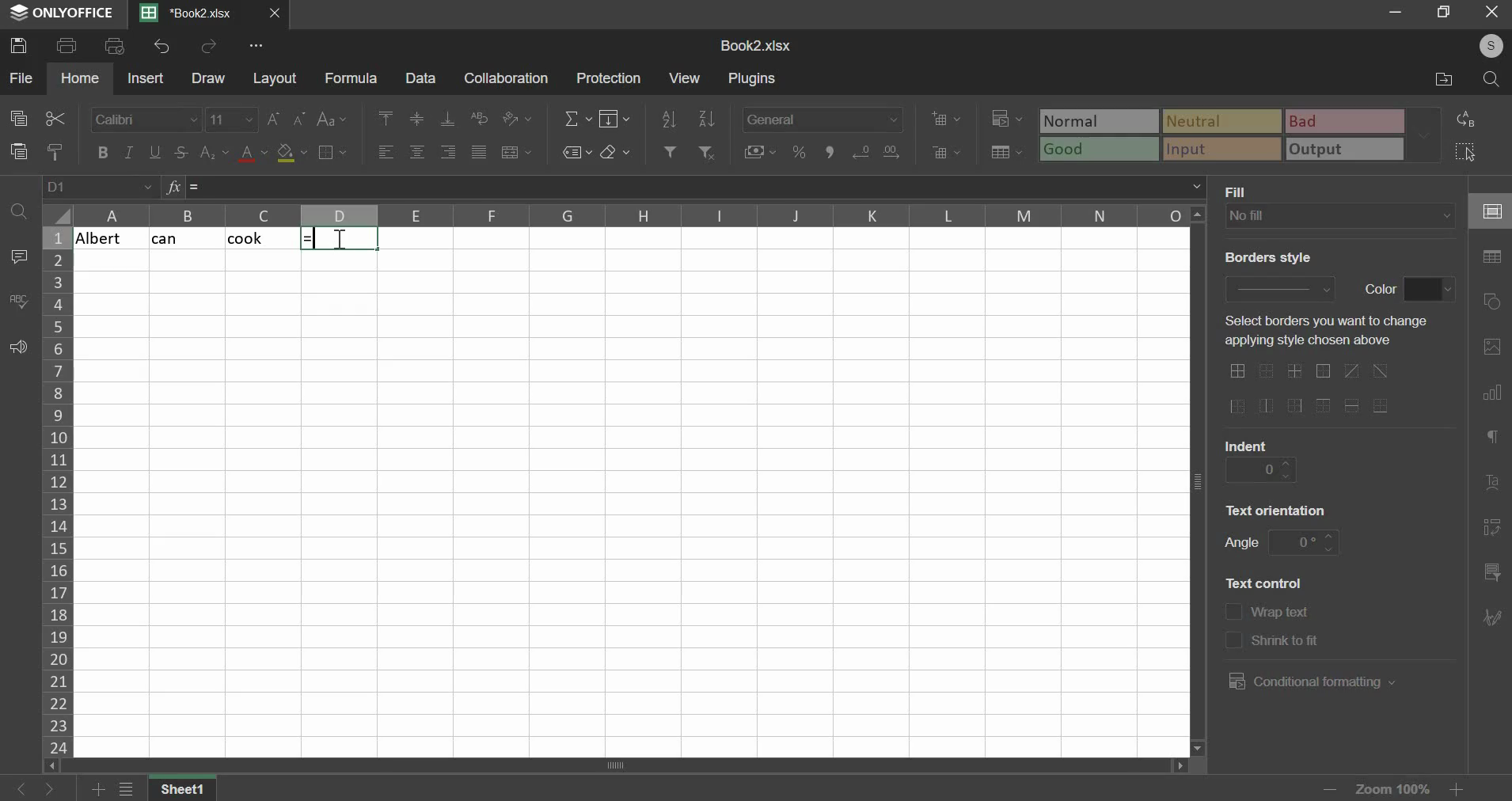 The image size is (1512, 801). Describe the element at coordinates (19, 151) in the screenshot. I see `paste` at that location.